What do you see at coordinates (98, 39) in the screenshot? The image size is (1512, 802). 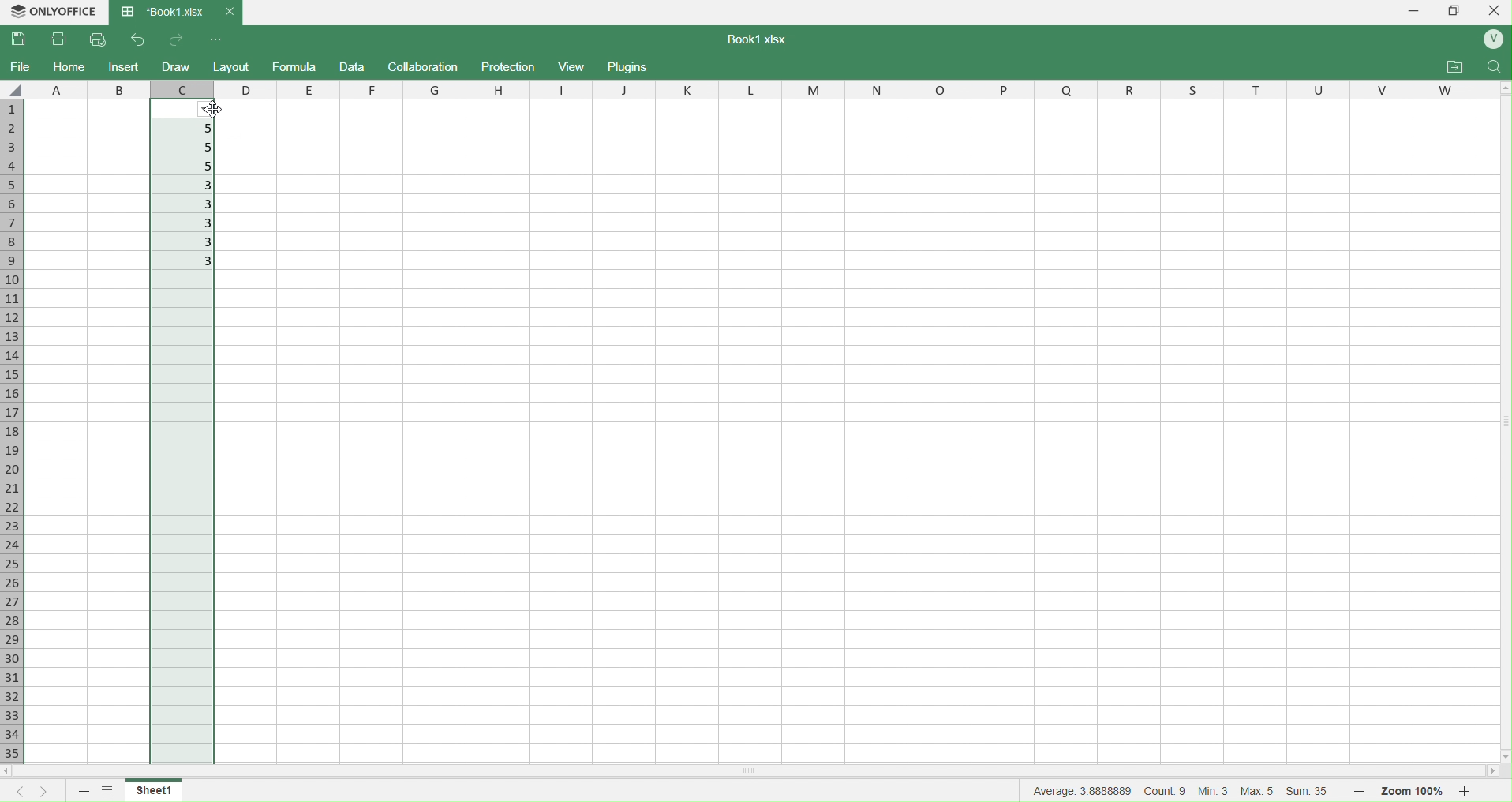 I see `Quick Print` at bounding box center [98, 39].